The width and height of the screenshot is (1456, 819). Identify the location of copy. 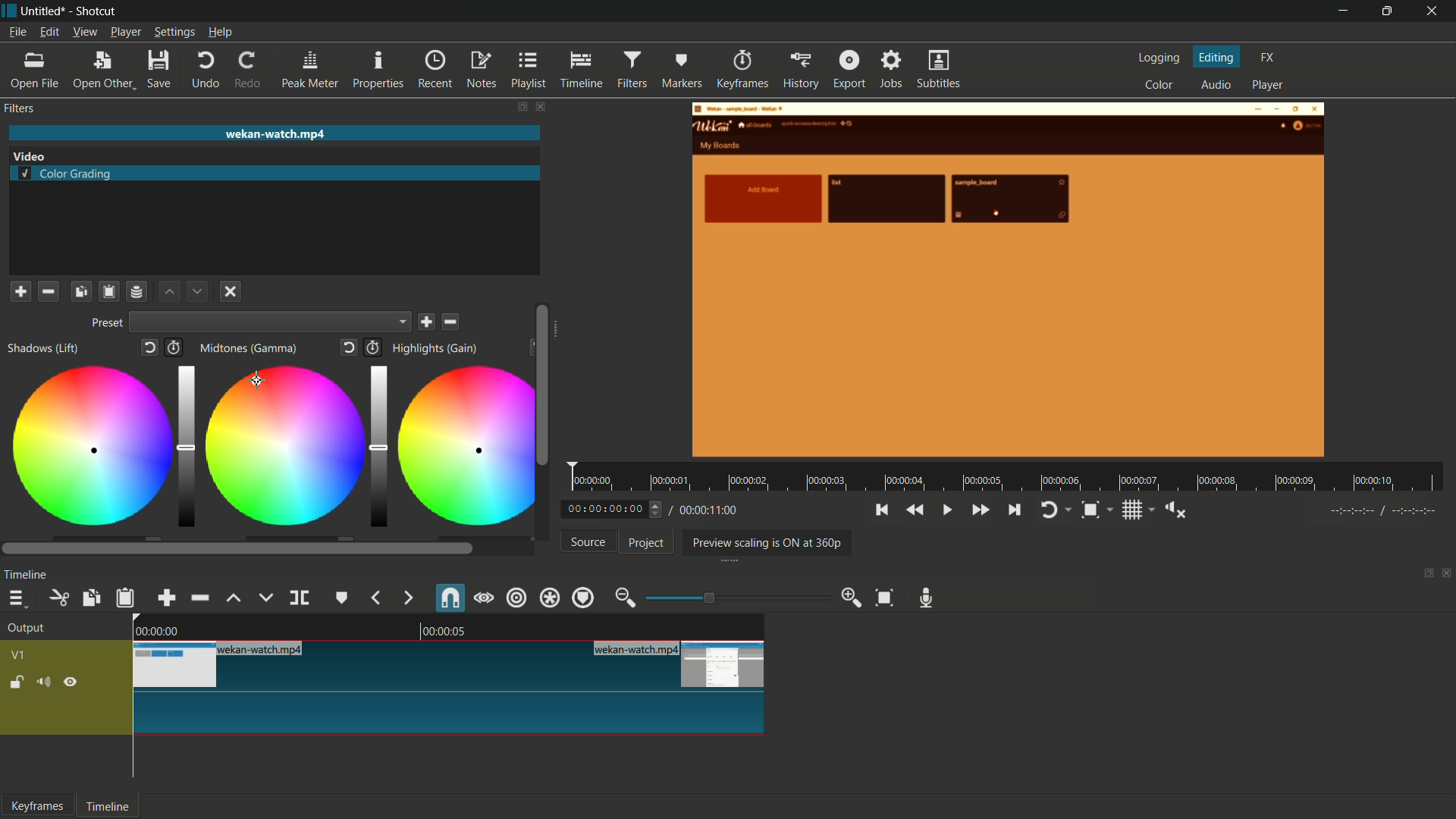
(89, 598).